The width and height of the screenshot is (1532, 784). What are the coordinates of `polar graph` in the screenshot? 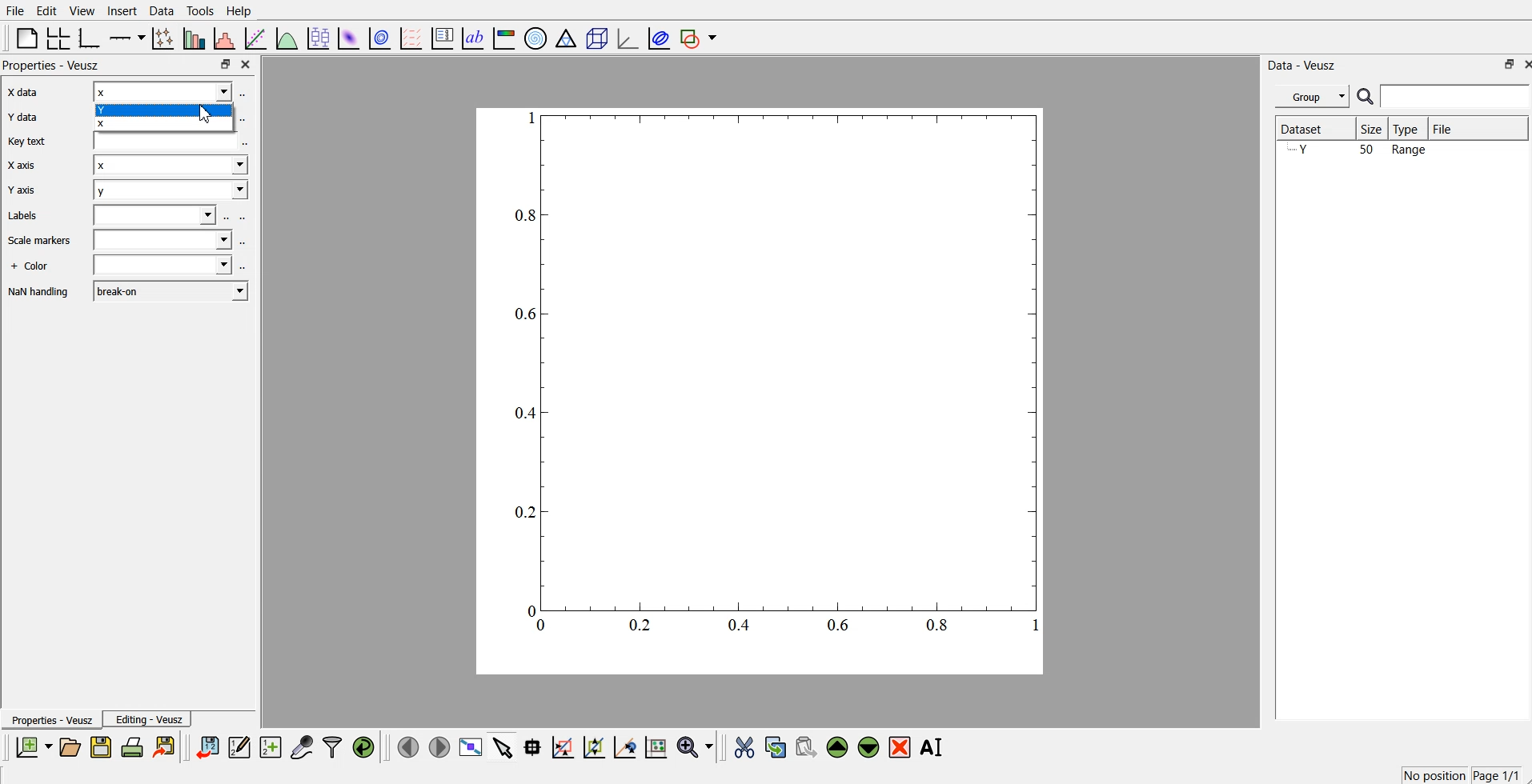 It's located at (536, 37).